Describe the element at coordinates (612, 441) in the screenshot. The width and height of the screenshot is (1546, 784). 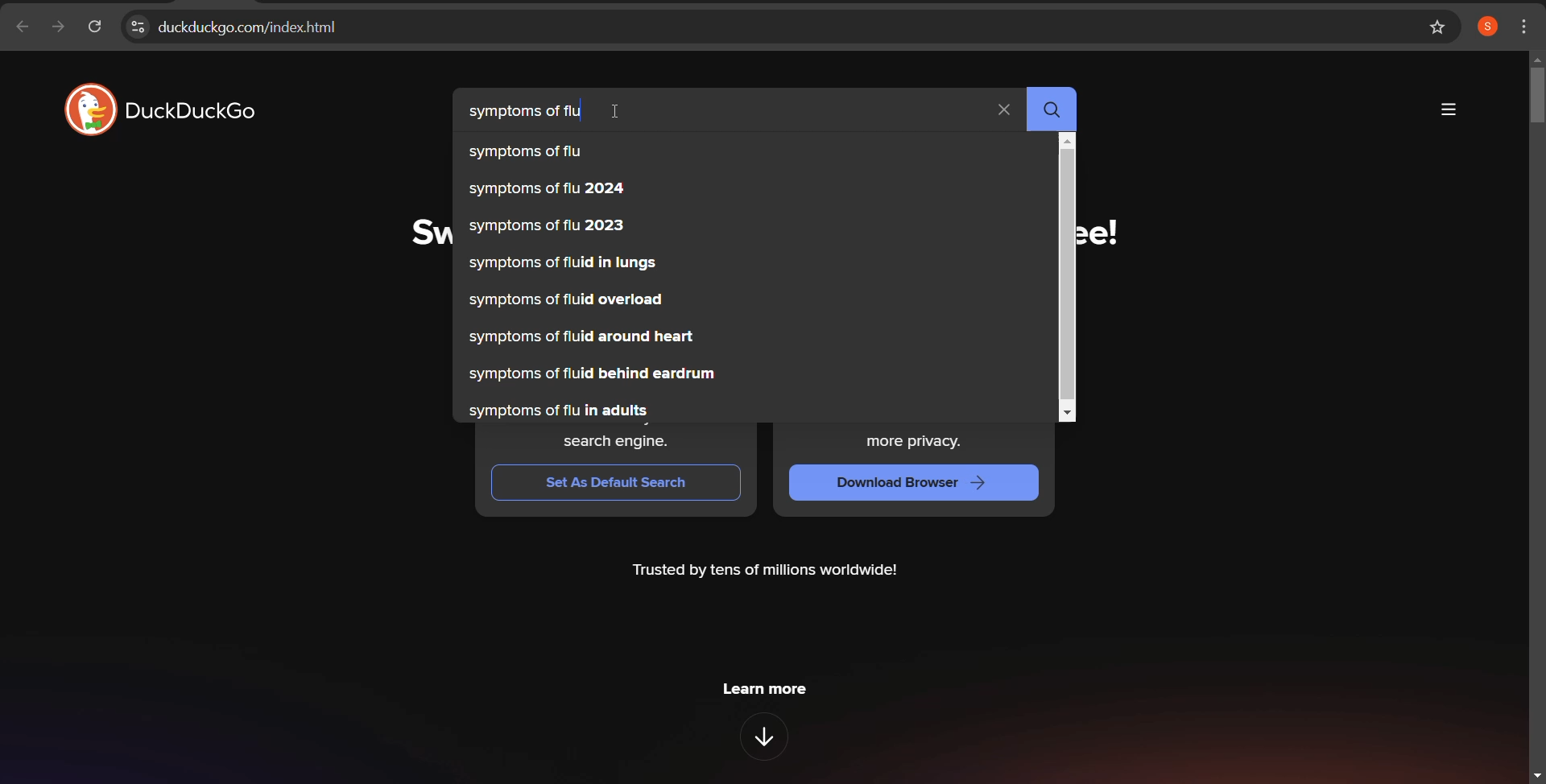
I see `search engine` at that location.